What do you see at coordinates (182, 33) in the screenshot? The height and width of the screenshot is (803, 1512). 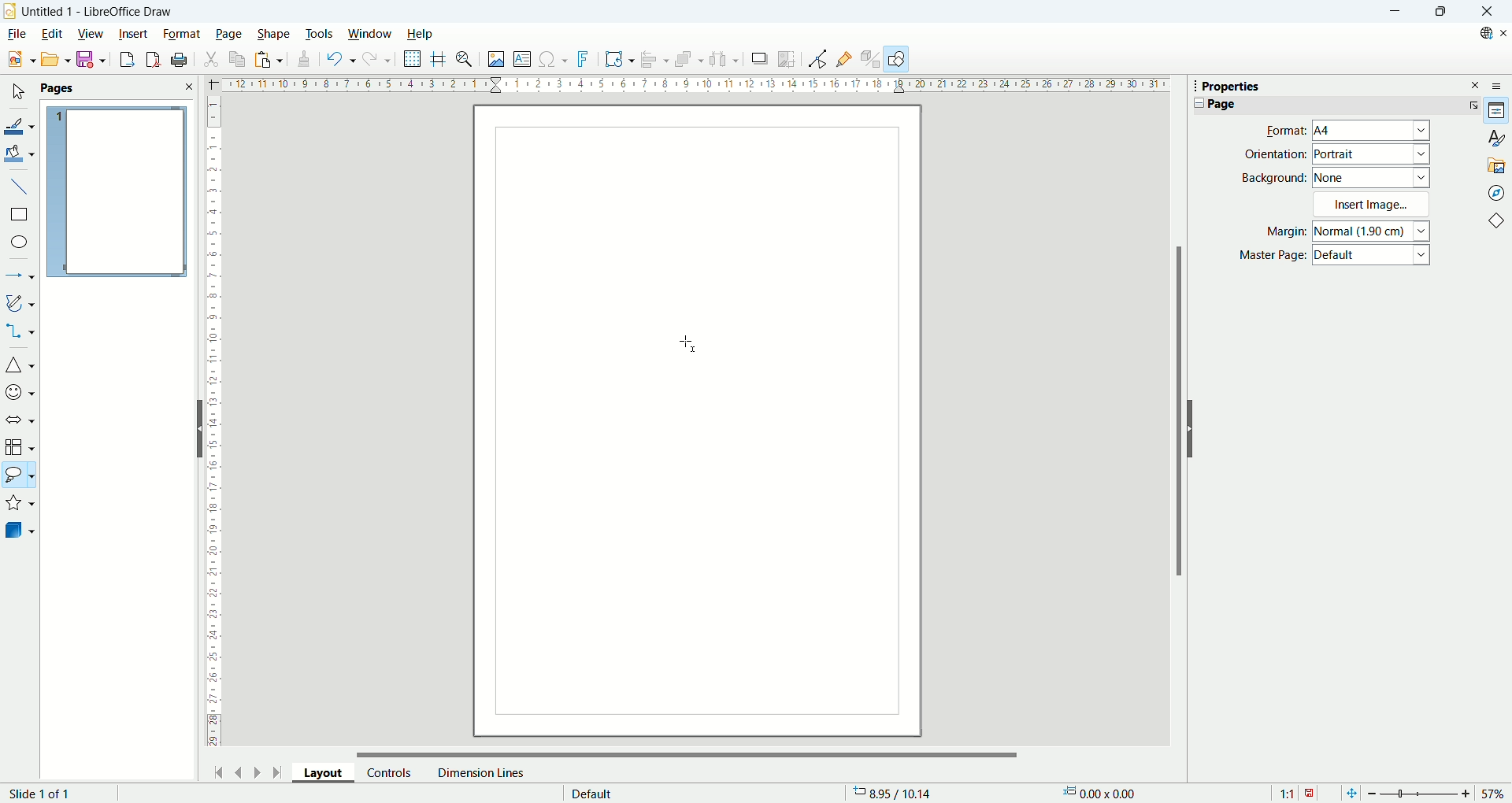 I see `format` at bounding box center [182, 33].